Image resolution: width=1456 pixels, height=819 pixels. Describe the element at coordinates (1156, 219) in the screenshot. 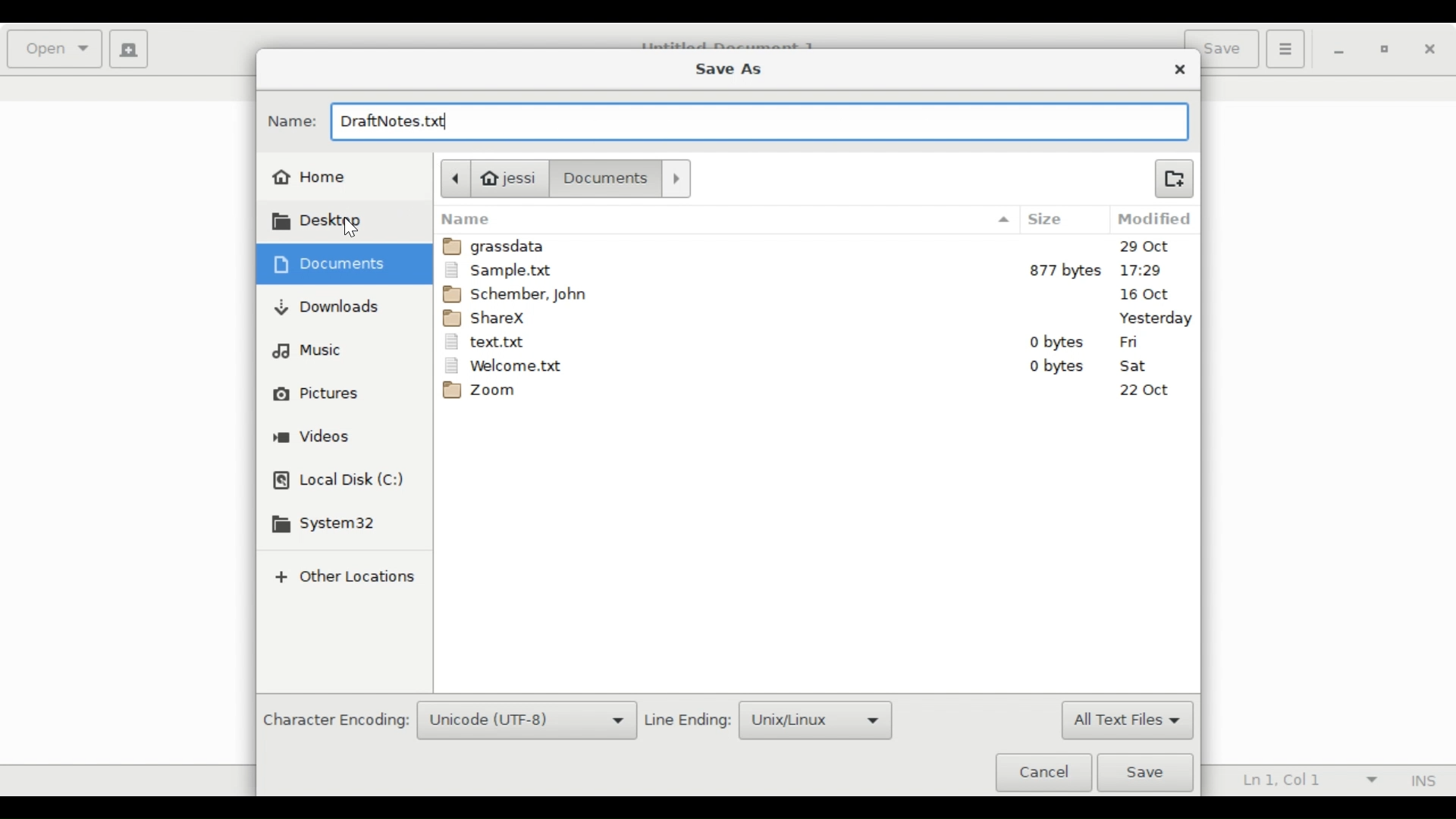

I see `Modified` at that location.